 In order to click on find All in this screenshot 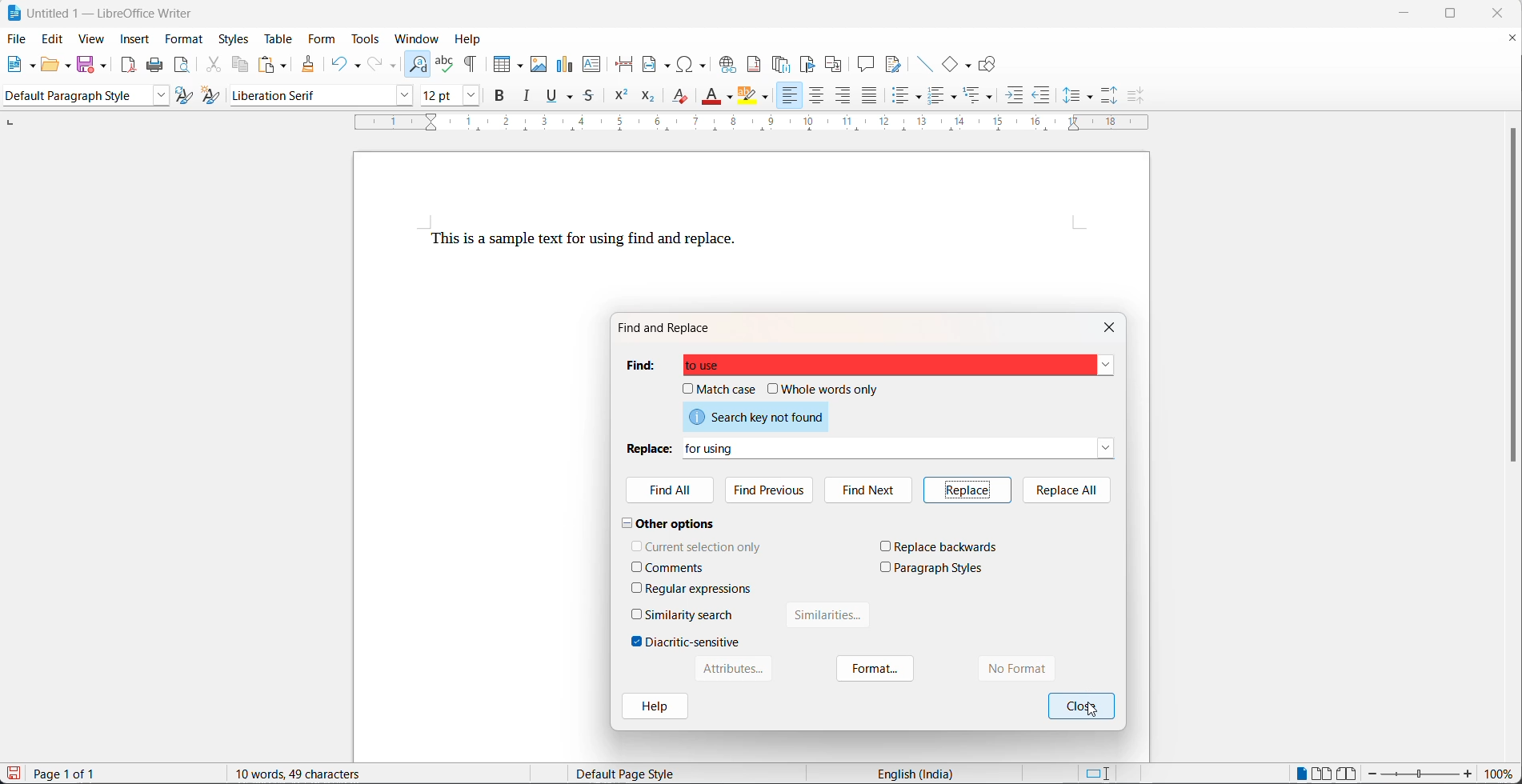, I will do `click(671, 492)`.